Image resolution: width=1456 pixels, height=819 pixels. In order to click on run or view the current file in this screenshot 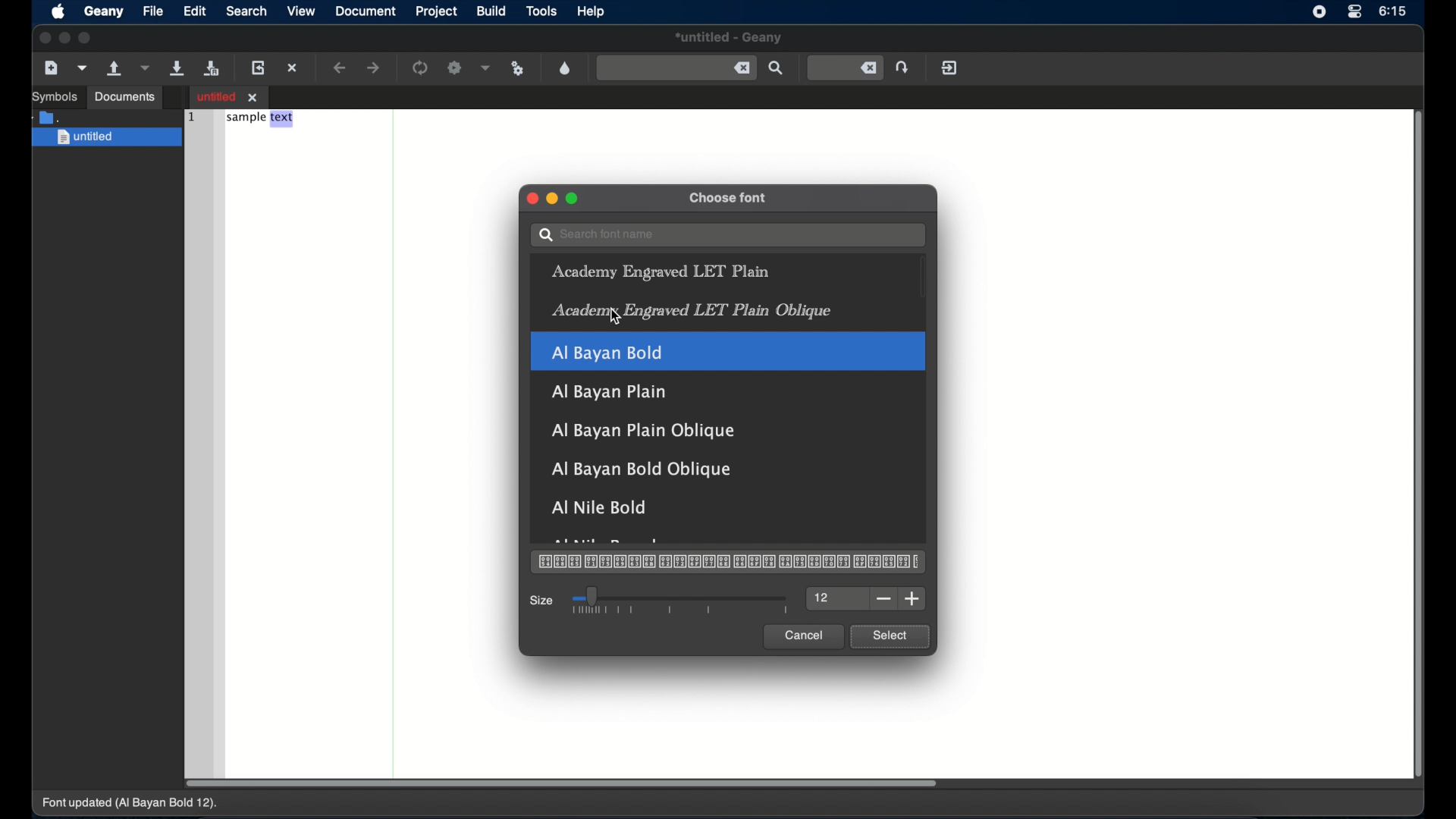, I will do `click(518, 67)`.